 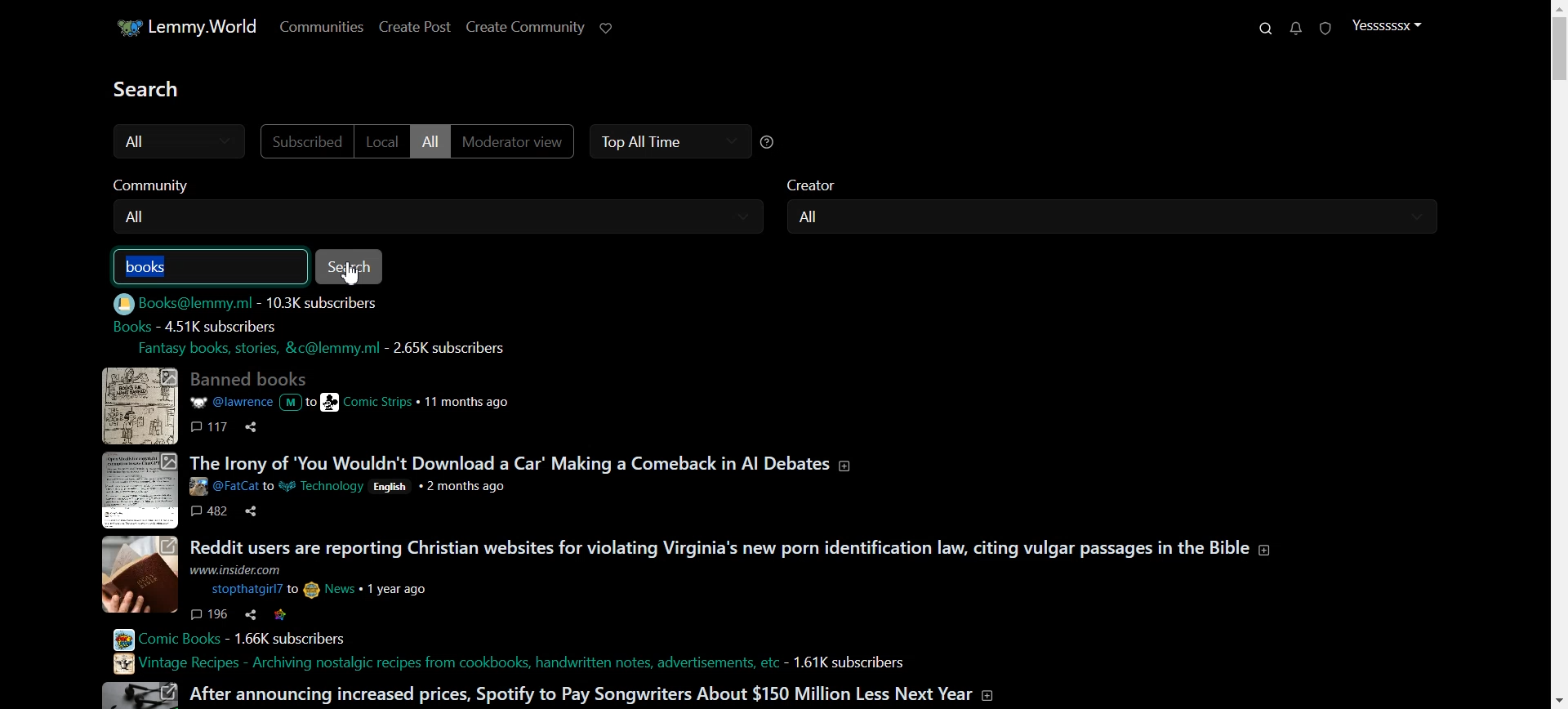 I want to click on creator, so click(x=825, y=184).